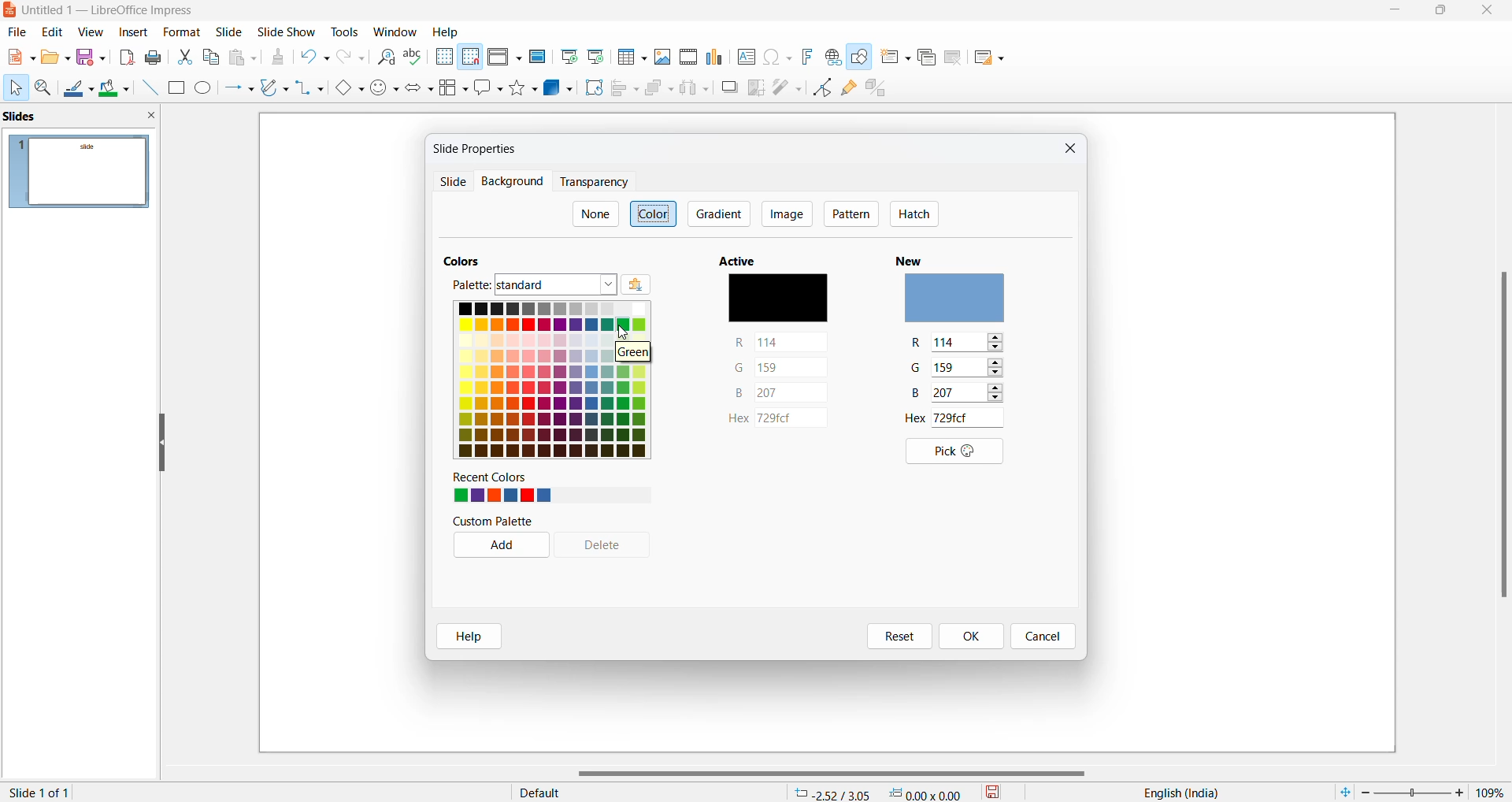 The width and height of the screenshot is (1512, 802). What do you see at coordinates (925, 58) in the screenshot?
I see `duplicate slide` at bounding box center [925, 58].